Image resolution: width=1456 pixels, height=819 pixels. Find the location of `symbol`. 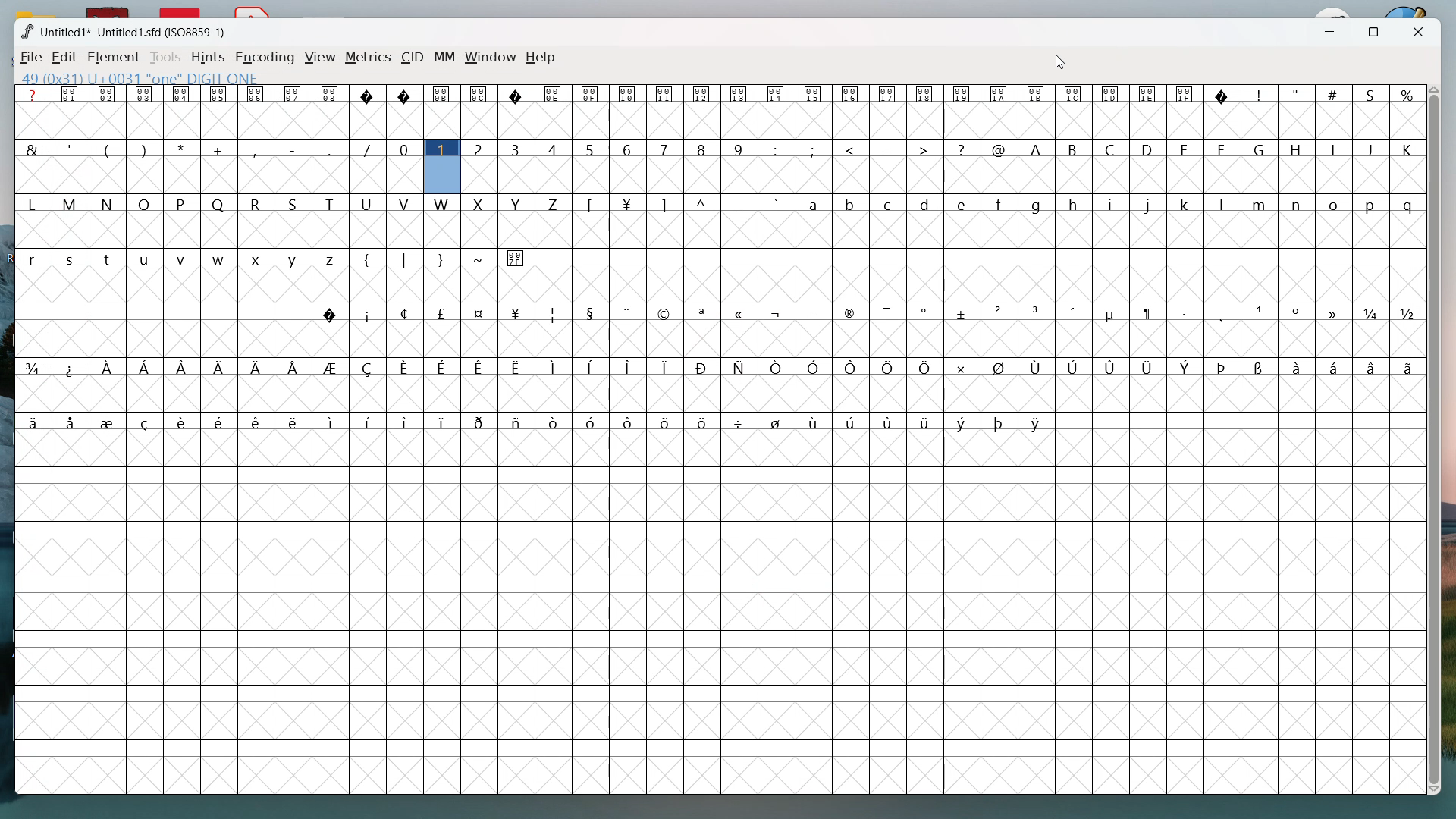

symbol is located at coordinates (518, 95).